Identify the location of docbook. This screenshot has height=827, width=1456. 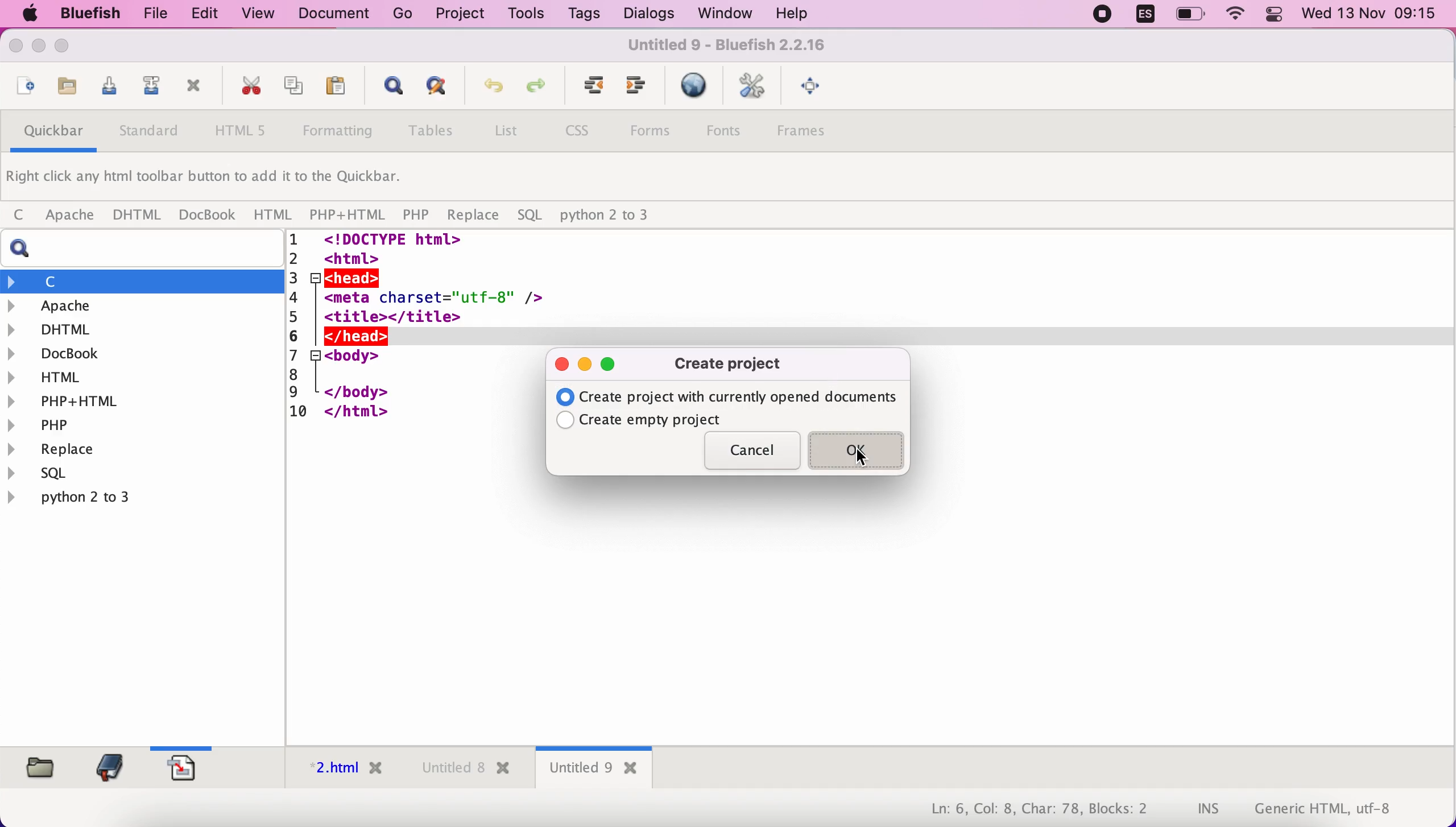
(208, 217).